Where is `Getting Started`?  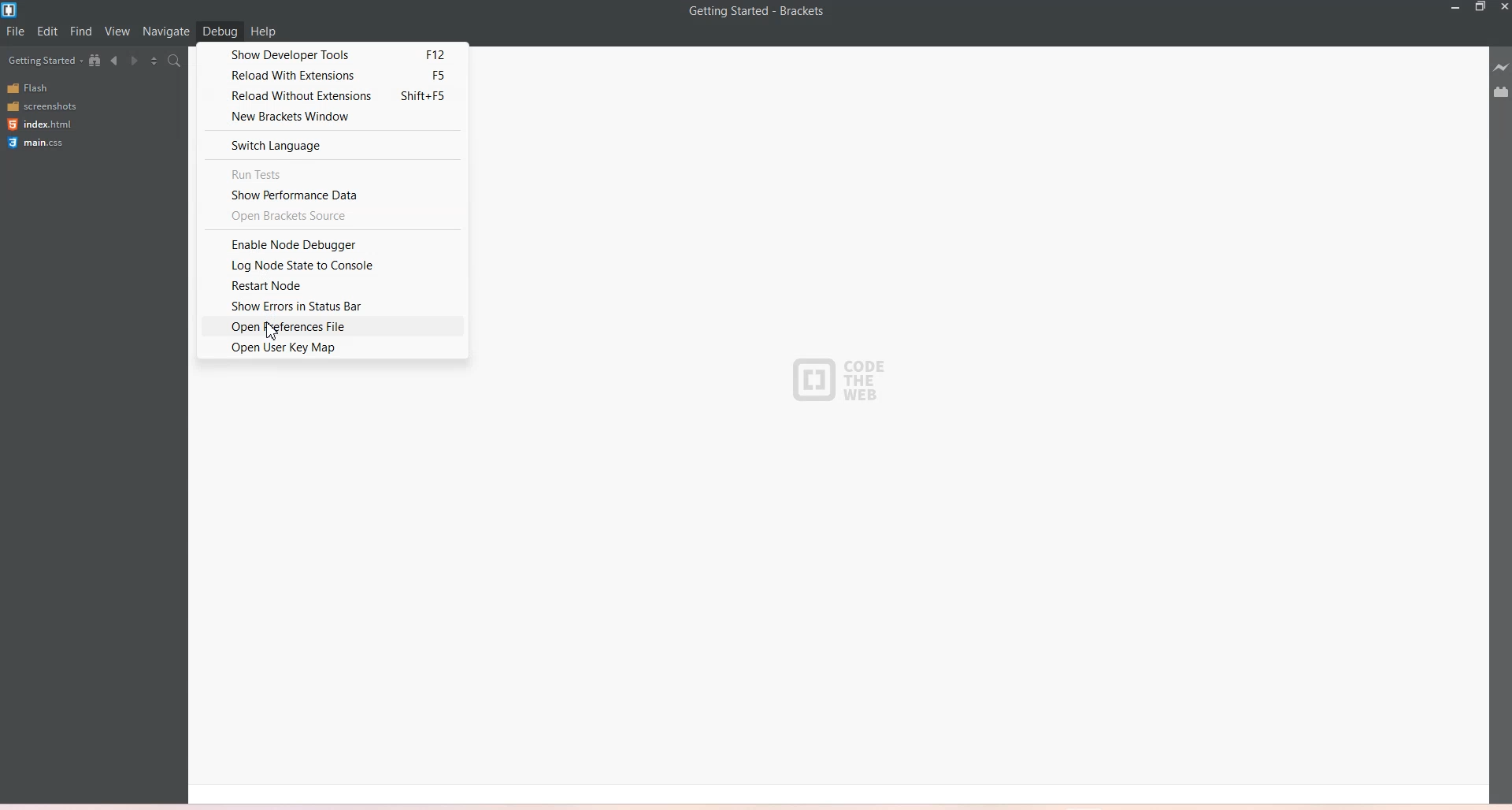
Getting Started is located at coordinates (45, 60).